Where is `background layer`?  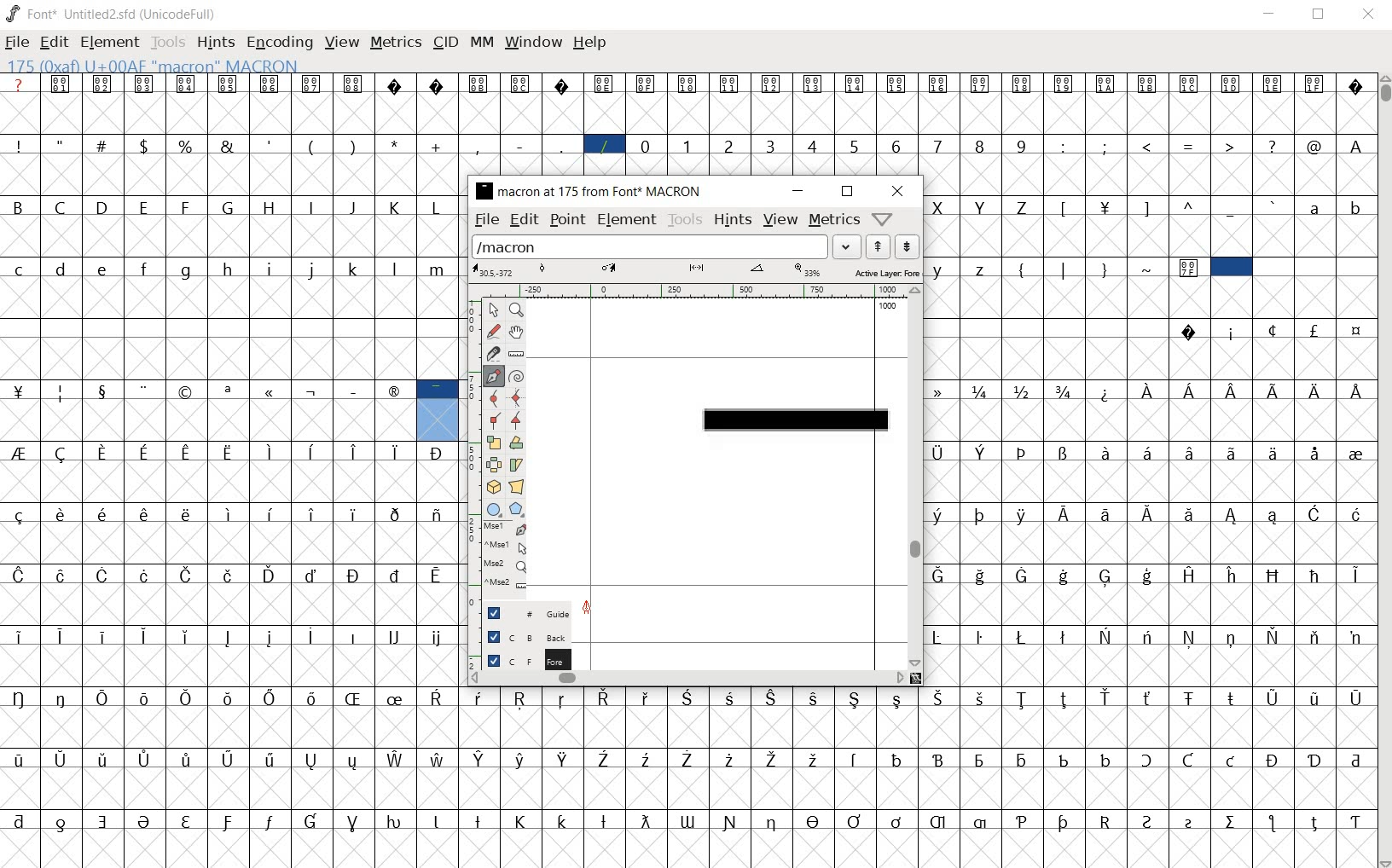 background layer is located at coordinates (527, 636).